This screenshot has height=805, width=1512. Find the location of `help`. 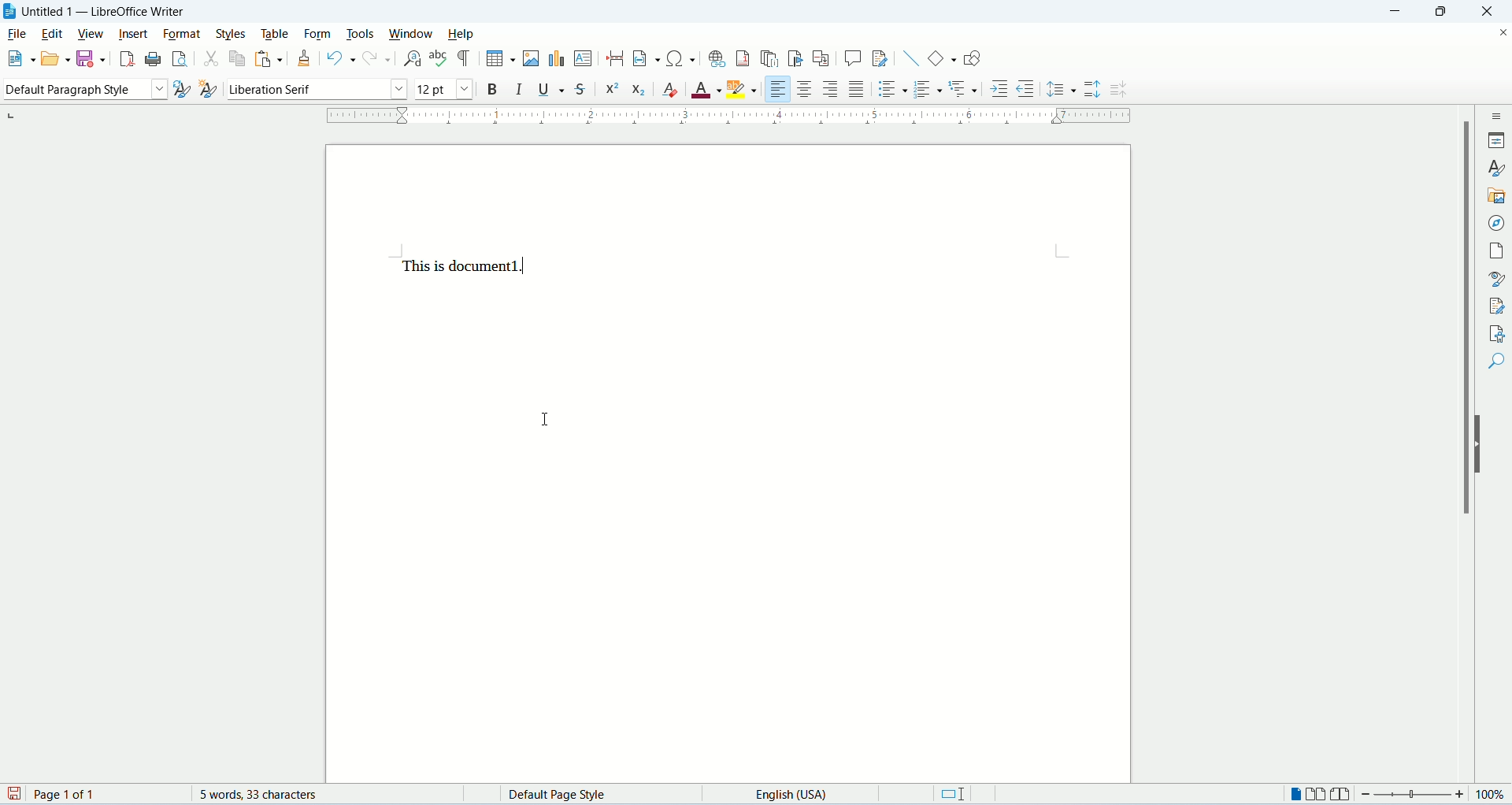

help is located at coordinates (462, 34).